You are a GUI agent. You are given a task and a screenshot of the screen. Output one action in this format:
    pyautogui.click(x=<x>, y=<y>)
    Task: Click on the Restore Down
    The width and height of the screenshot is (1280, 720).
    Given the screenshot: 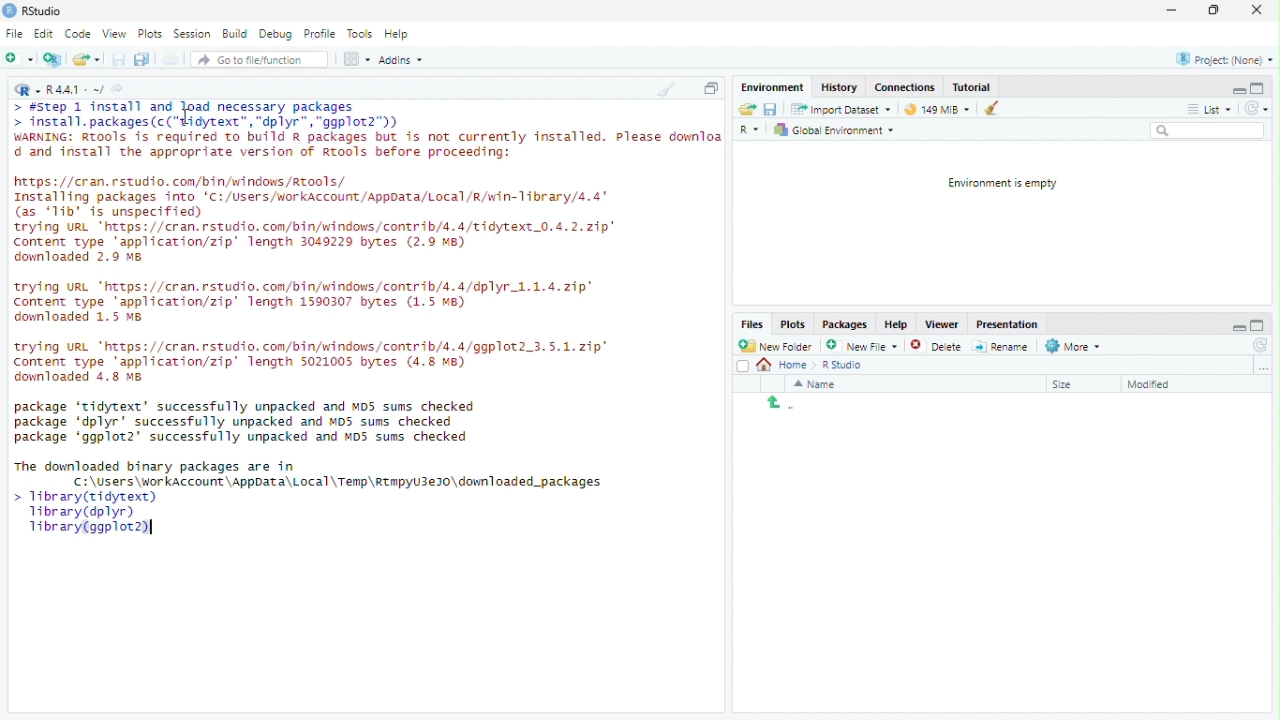 What is the action you would take?
    pyautogui.click(x=1216, y=11)
    